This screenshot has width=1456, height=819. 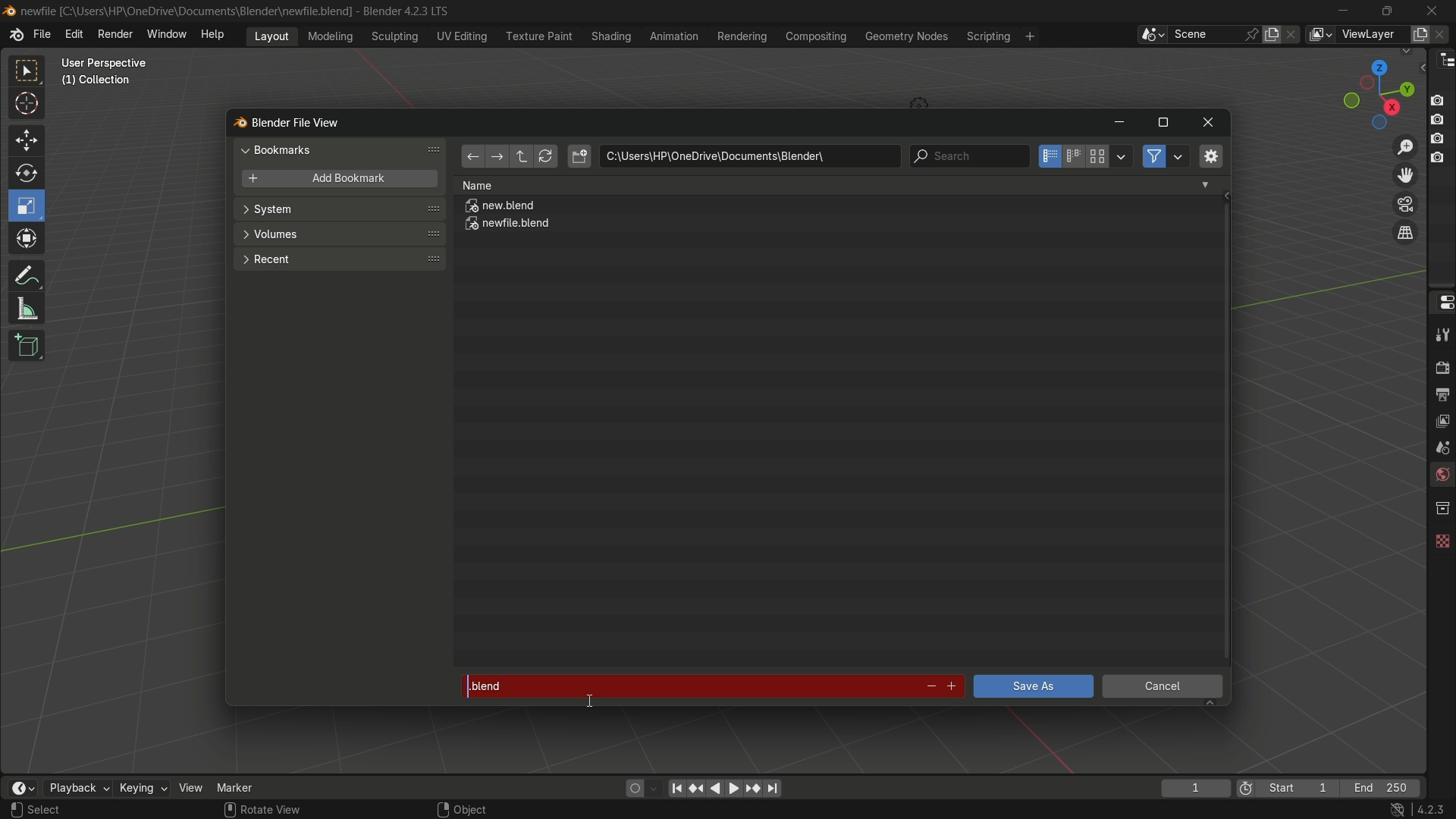 I want to click on scripting menu, so click(x=987, y=36).